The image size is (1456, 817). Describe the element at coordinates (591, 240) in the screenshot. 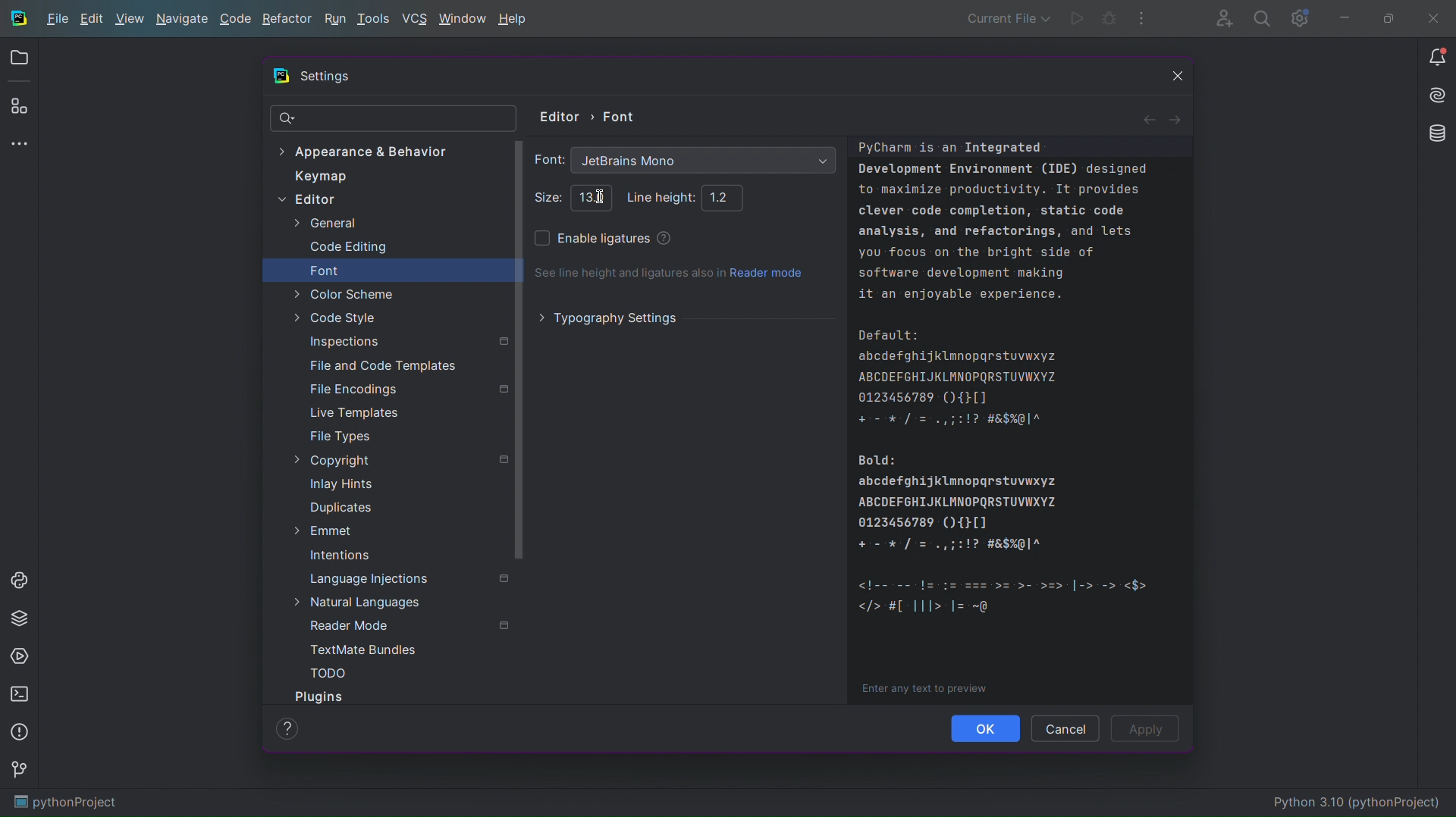

I see `Enable ligatures` at that location.